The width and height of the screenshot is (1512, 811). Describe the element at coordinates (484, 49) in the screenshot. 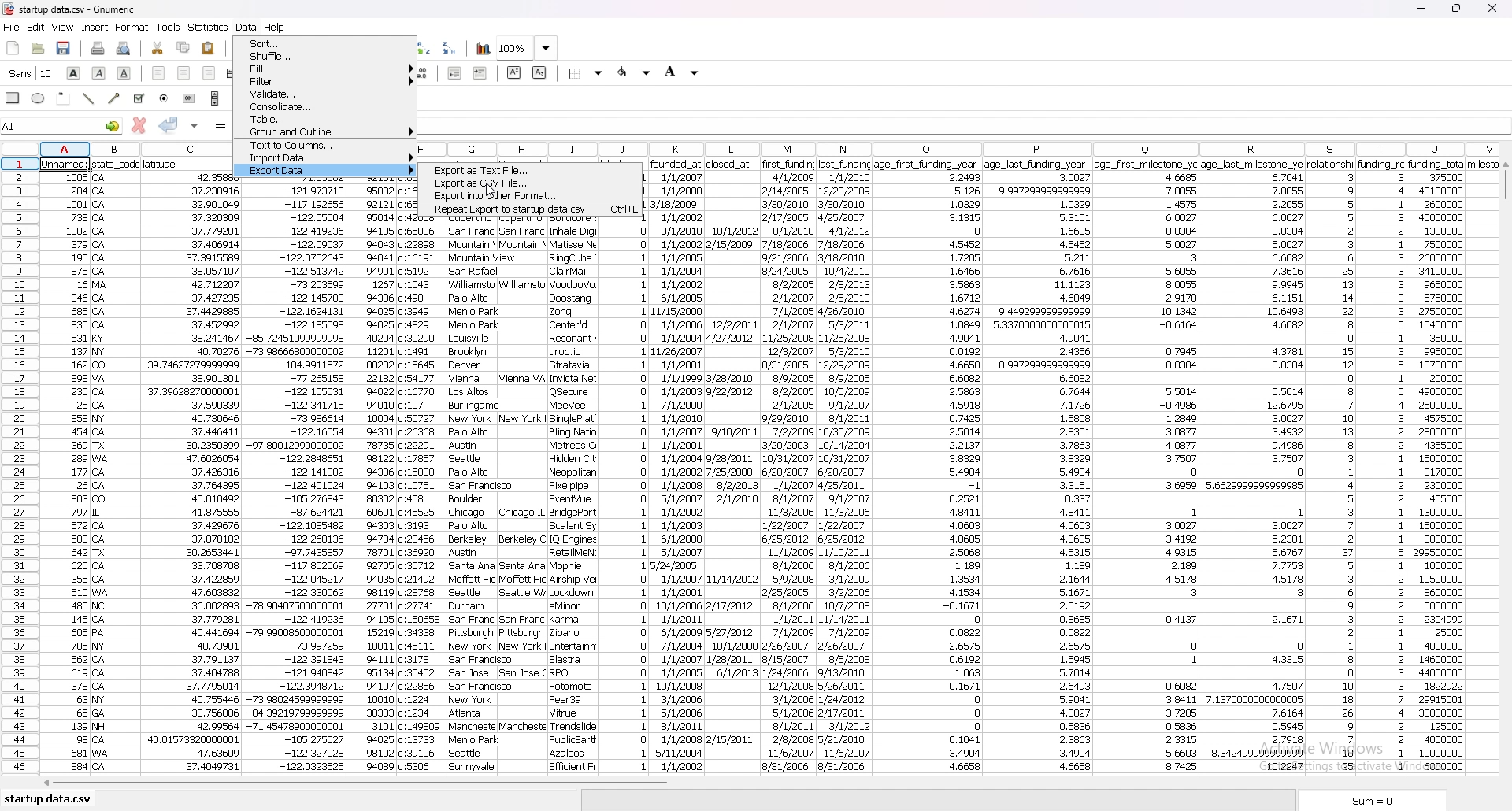

I see `chart` at that location.